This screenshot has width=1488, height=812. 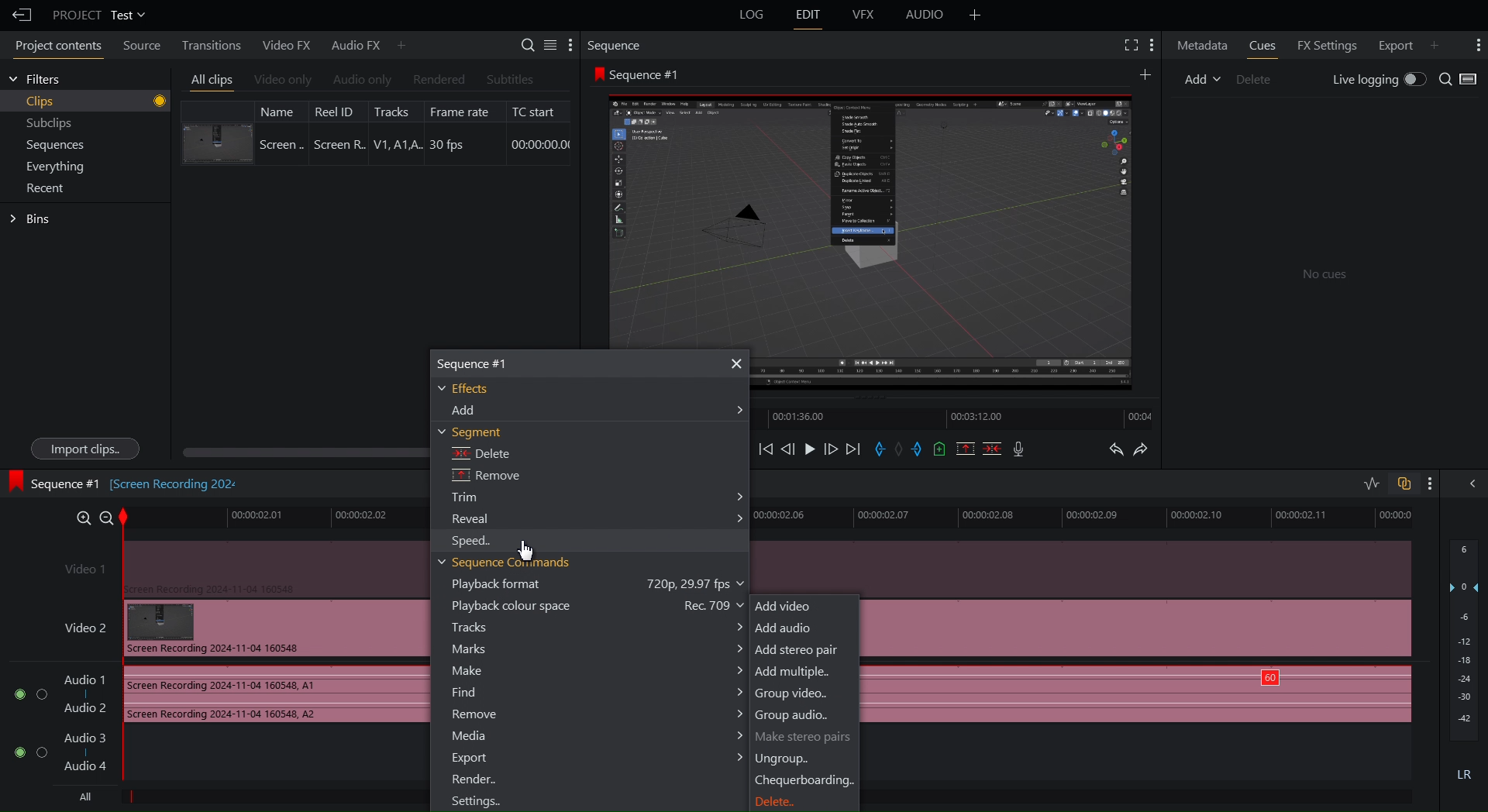 I want to click on Recent, so click(x=49, y=188).